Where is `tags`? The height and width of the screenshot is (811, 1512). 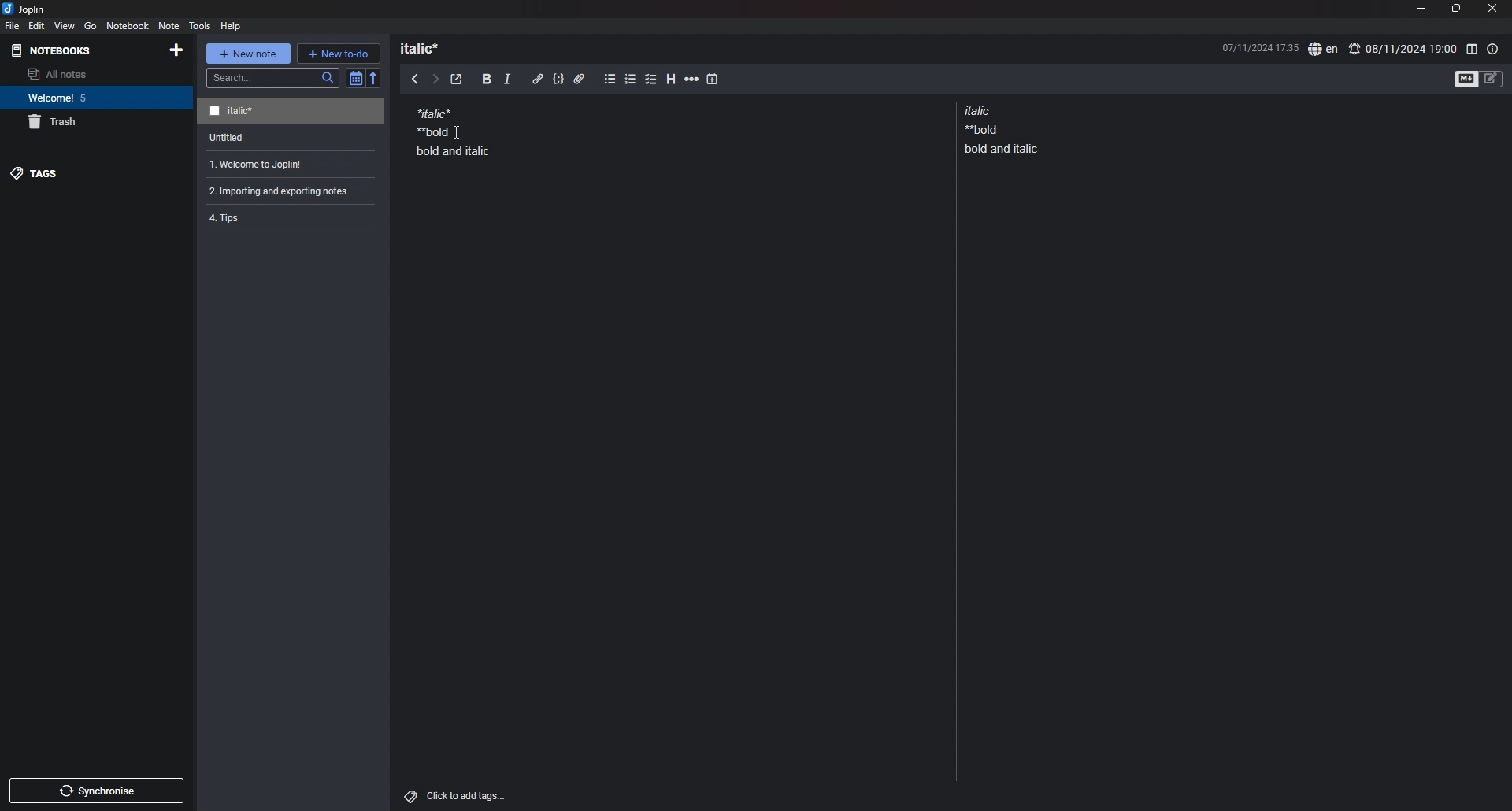
tags is located at coordinates (95, 173).